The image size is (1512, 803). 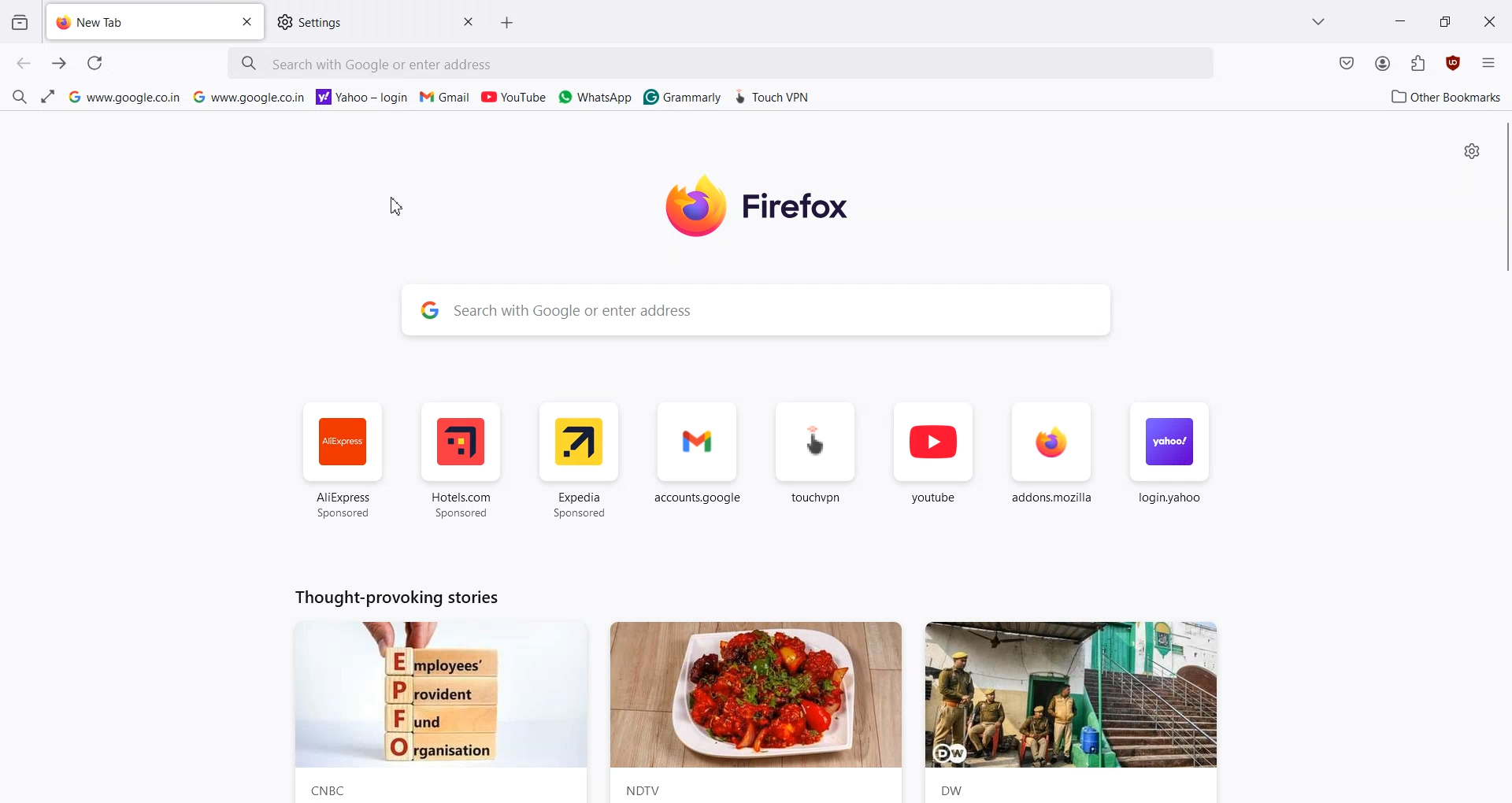 What do you see at coordinates (596, 97) in the screenshot?
I see `Whatsapp Bookmark` at bounding box center [596, 97].